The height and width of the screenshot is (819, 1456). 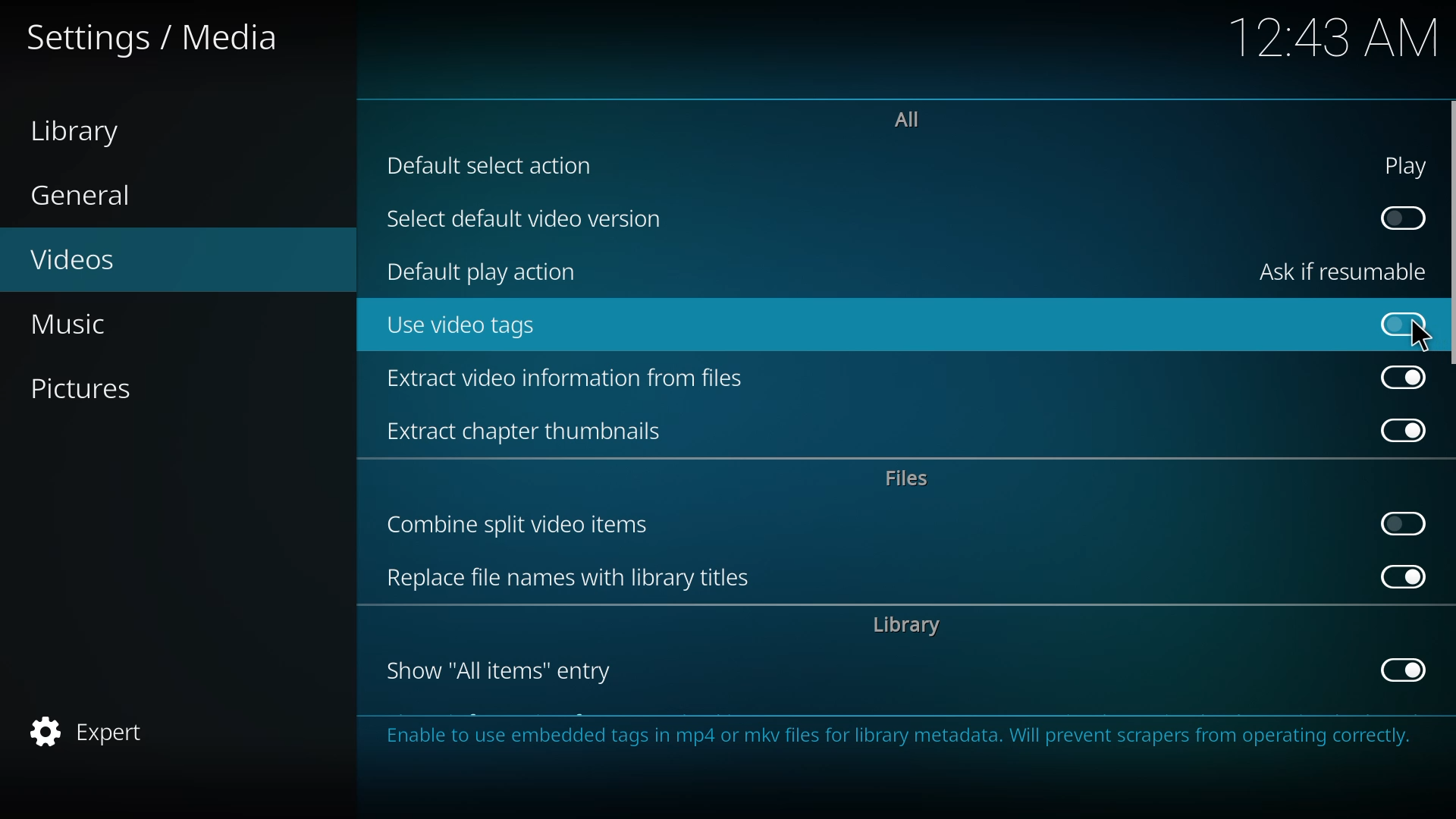 What do you see at coordinates (97, 388) in the screenshot?
I see `pictures` at bounding box center [97, 388].